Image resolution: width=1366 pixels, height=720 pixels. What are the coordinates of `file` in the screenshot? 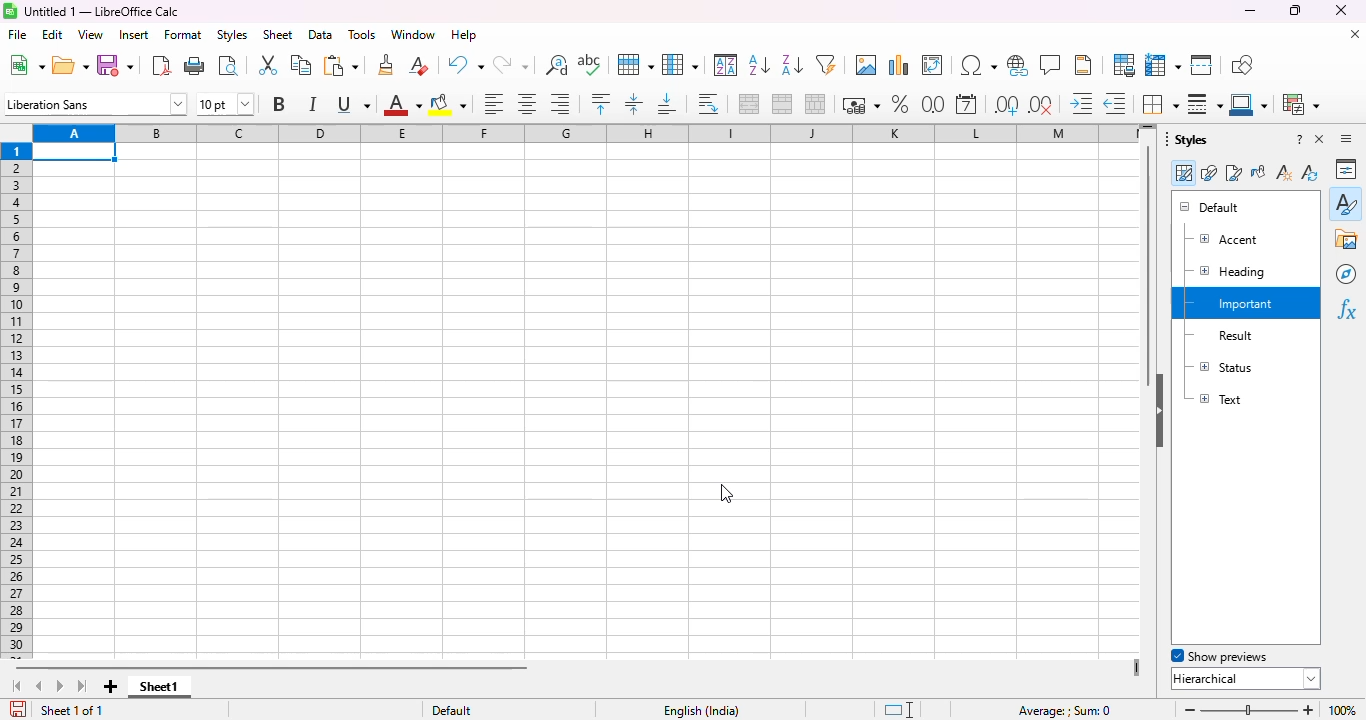 It's located at (17, 34).